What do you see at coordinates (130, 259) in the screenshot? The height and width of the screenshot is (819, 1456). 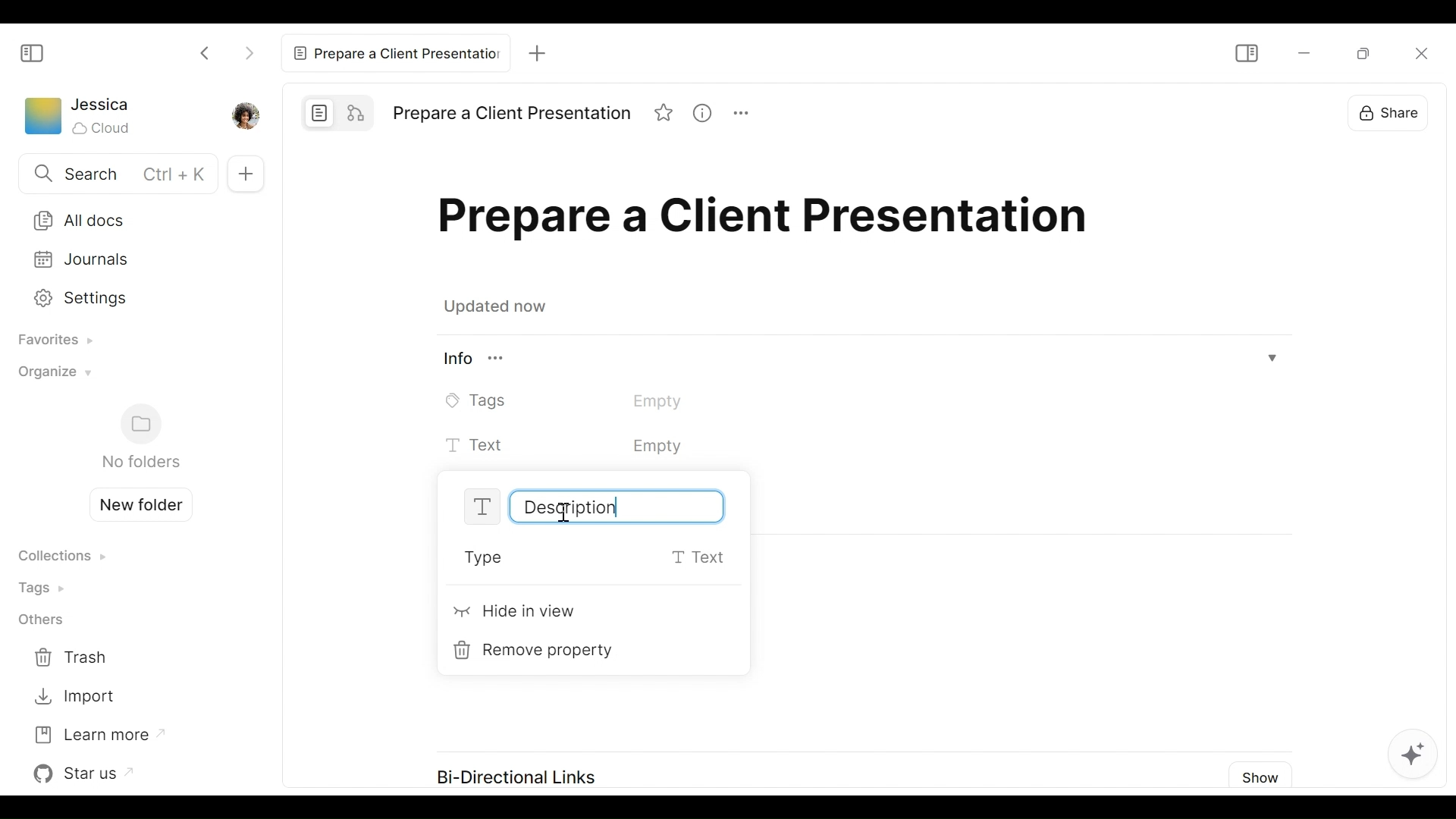 I see `Journals` at bounding box center [130, 259].